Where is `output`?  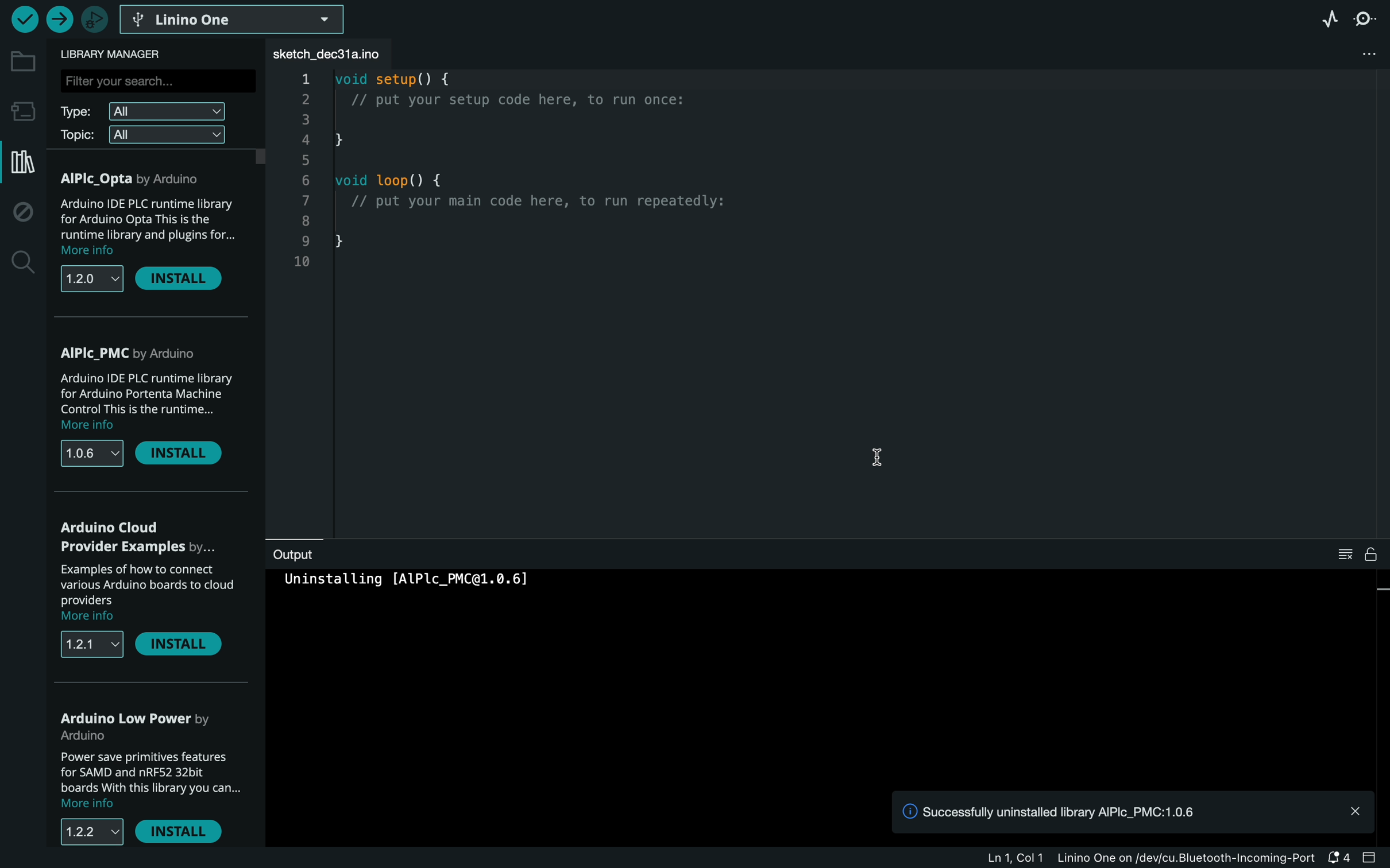
output is located at coordinates (302, 555).